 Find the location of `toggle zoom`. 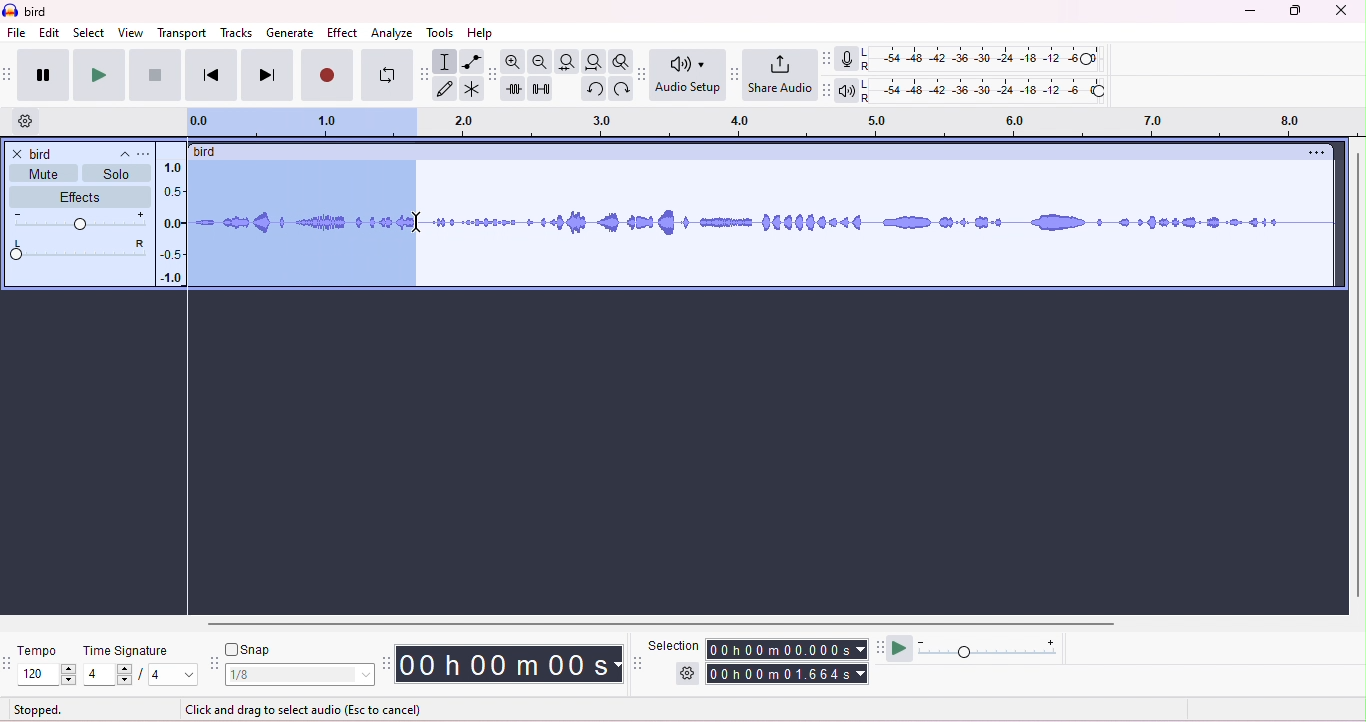

toggle zoom is located at coordinates (621, 61).